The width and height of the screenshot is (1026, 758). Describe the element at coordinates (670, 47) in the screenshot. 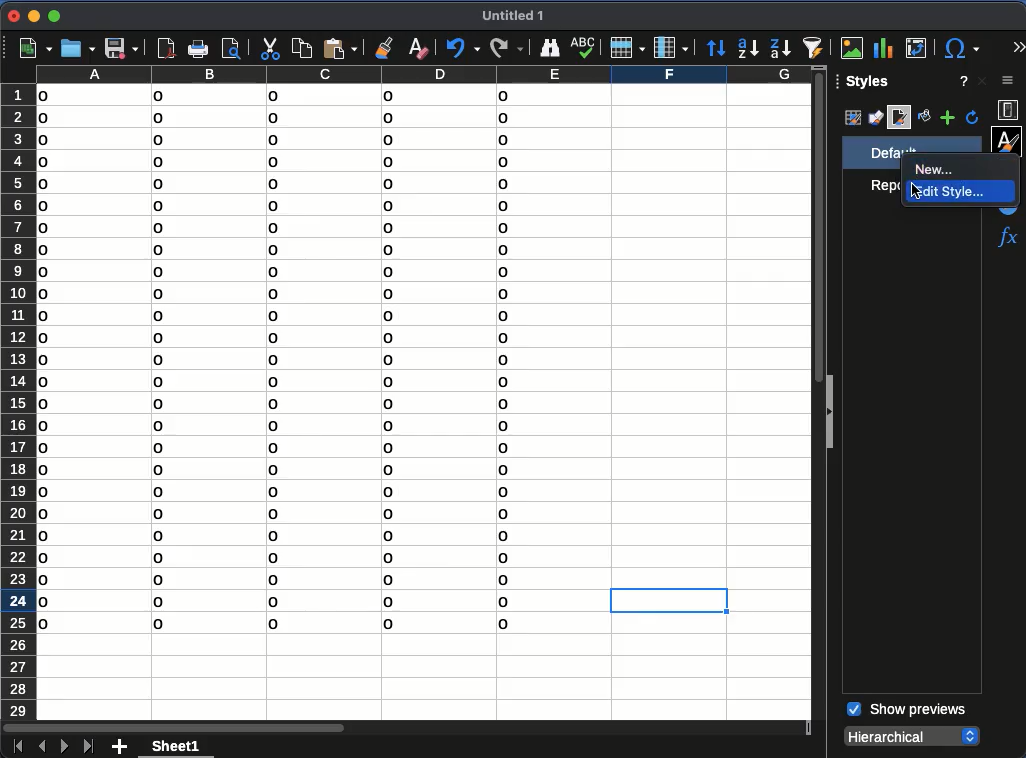

I see `column` at that location.